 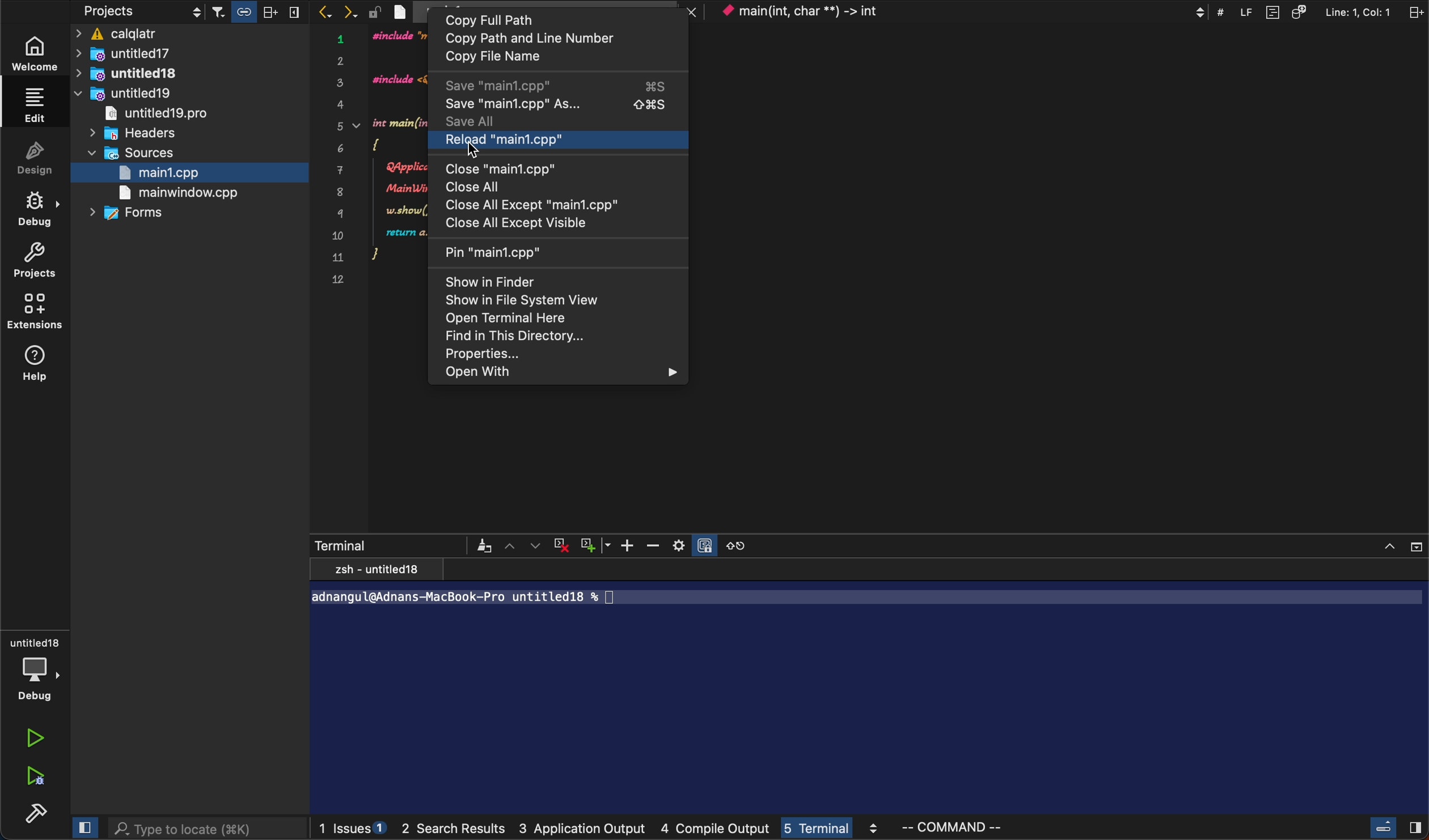 I want to click on open with, so click(x=560, y=372).